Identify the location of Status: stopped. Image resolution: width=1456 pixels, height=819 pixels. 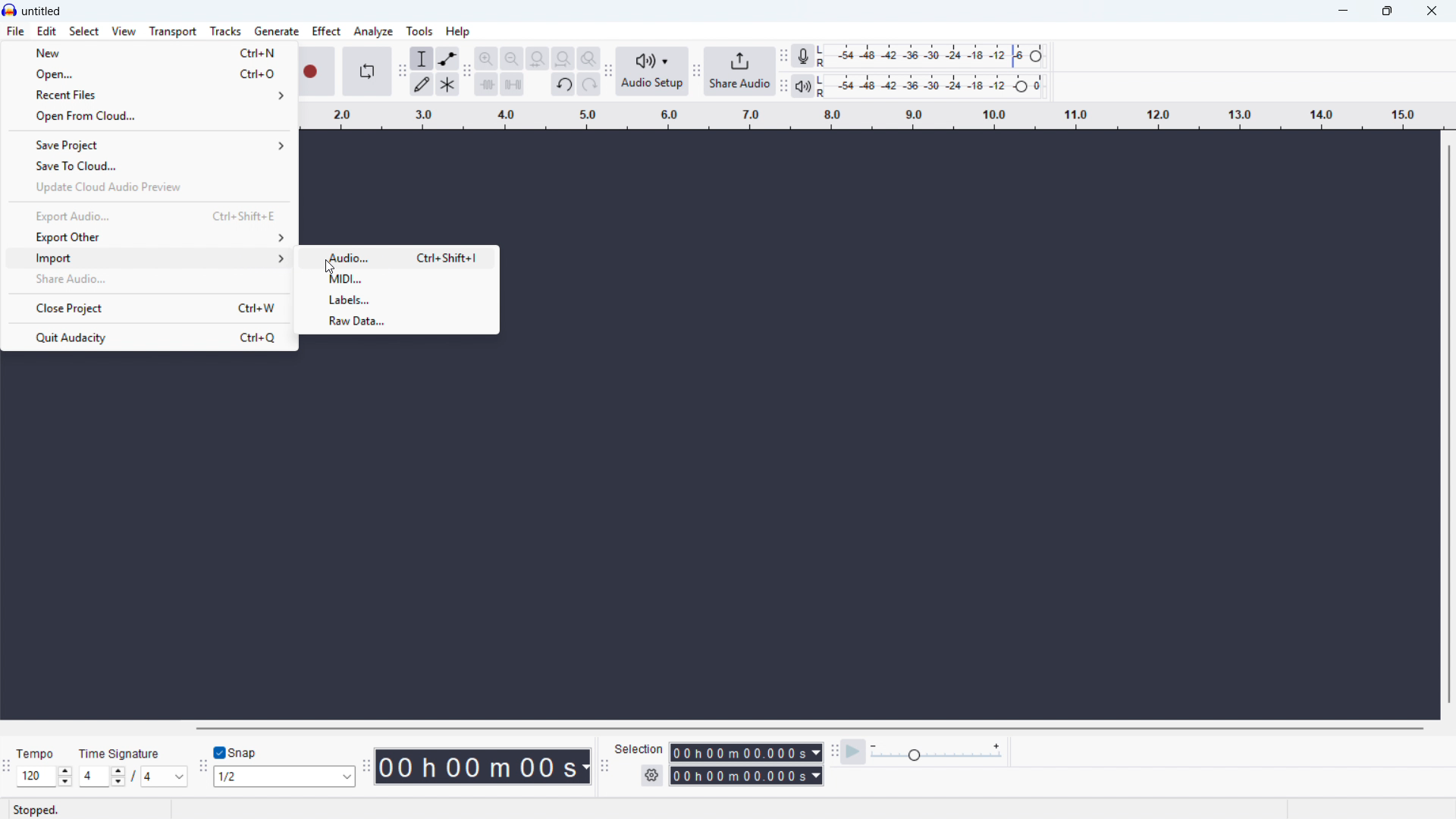
(36, 810).